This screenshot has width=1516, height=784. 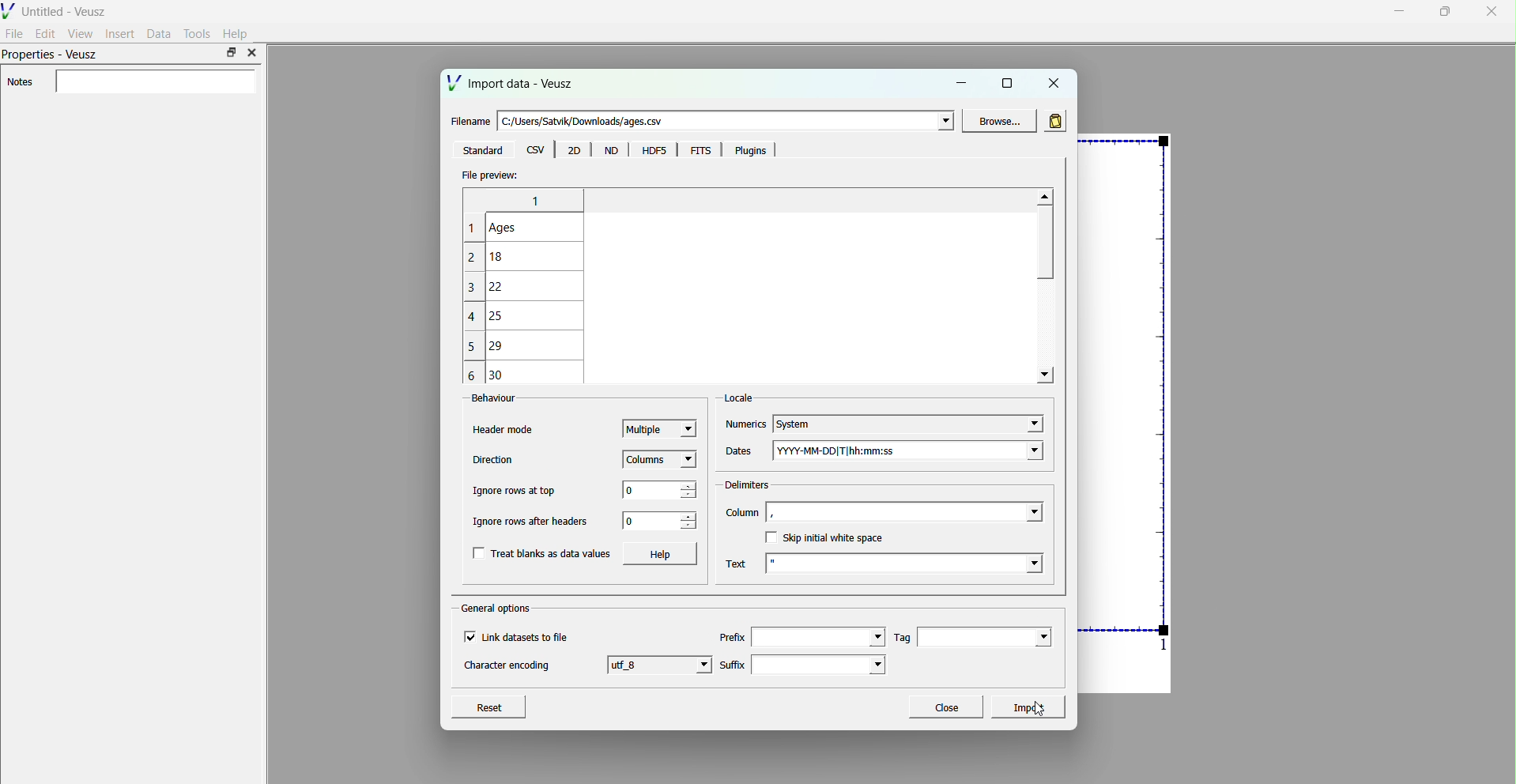 What do you see at coordinates (688, 527) in the screenshot?
I see `decrease` at bounding box center [688, 527].